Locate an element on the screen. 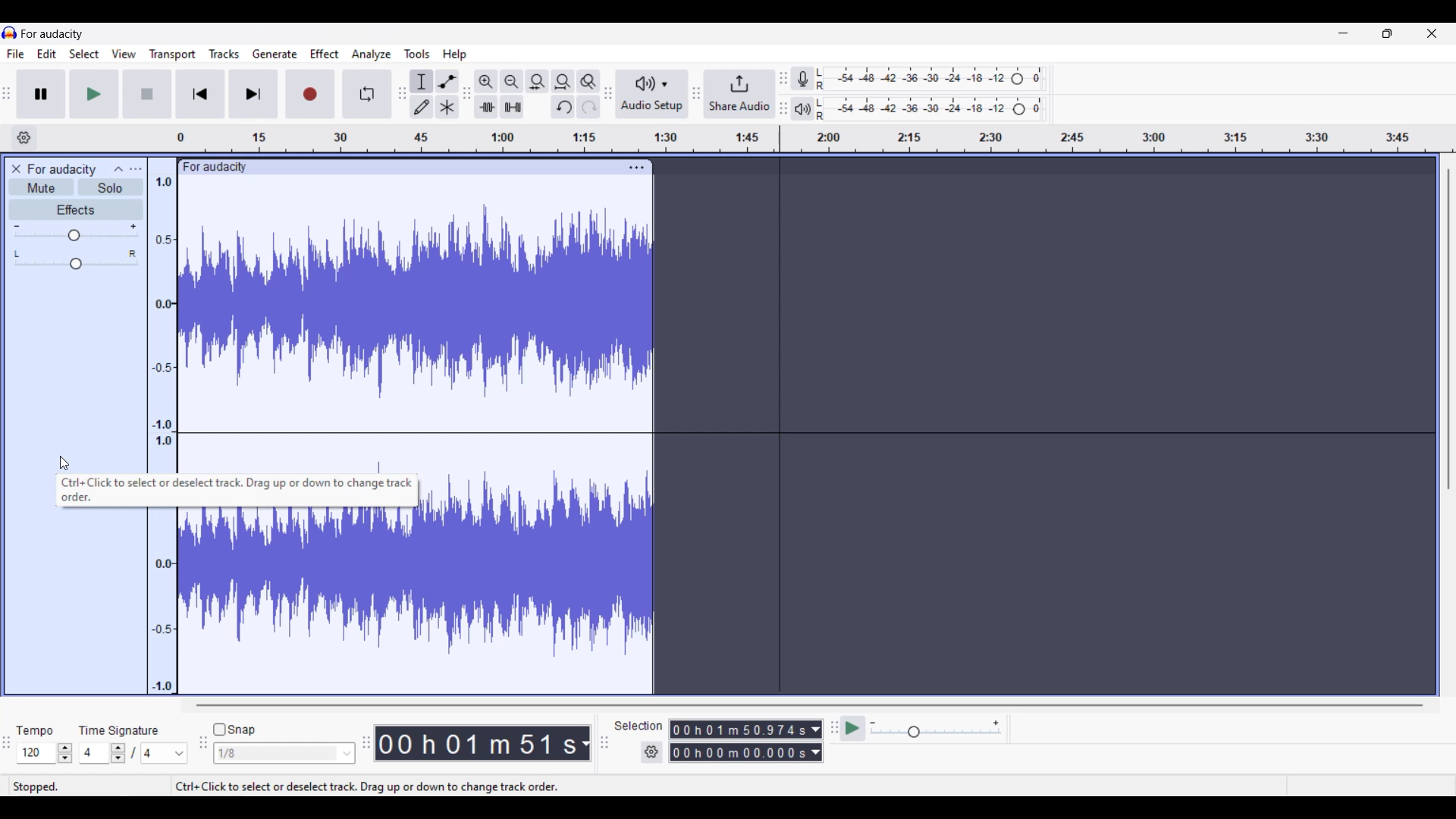  Collpase is located at coordinates (120, 167).